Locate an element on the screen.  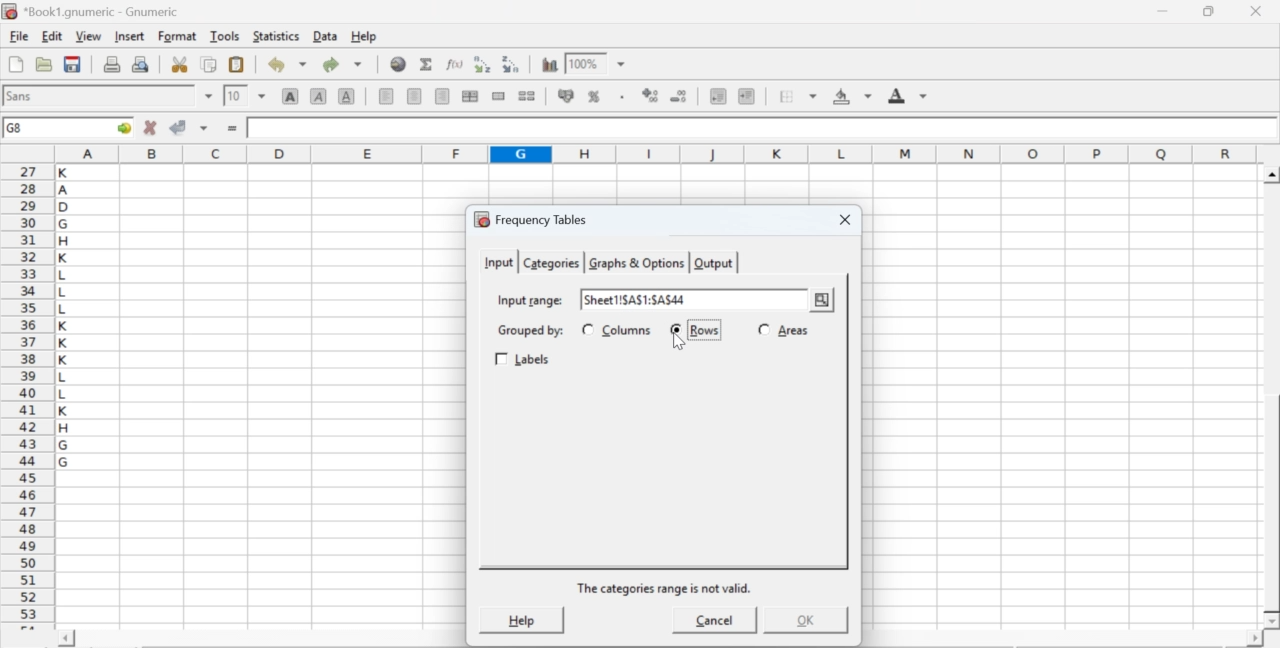
tools is located at coordinates (226, 35).